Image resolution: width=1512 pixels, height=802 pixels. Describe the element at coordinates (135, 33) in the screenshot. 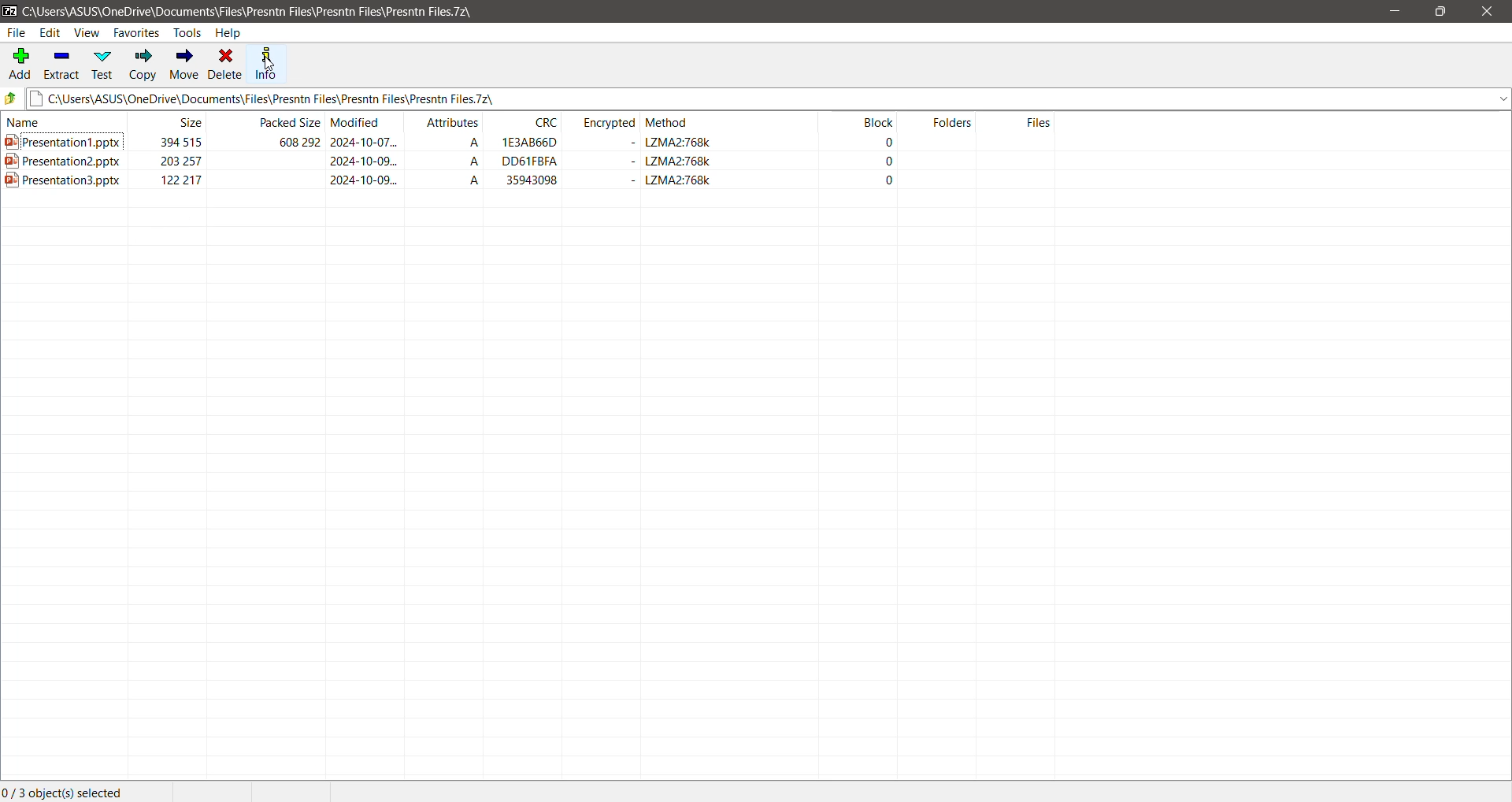

I see `Favorites` at that location.